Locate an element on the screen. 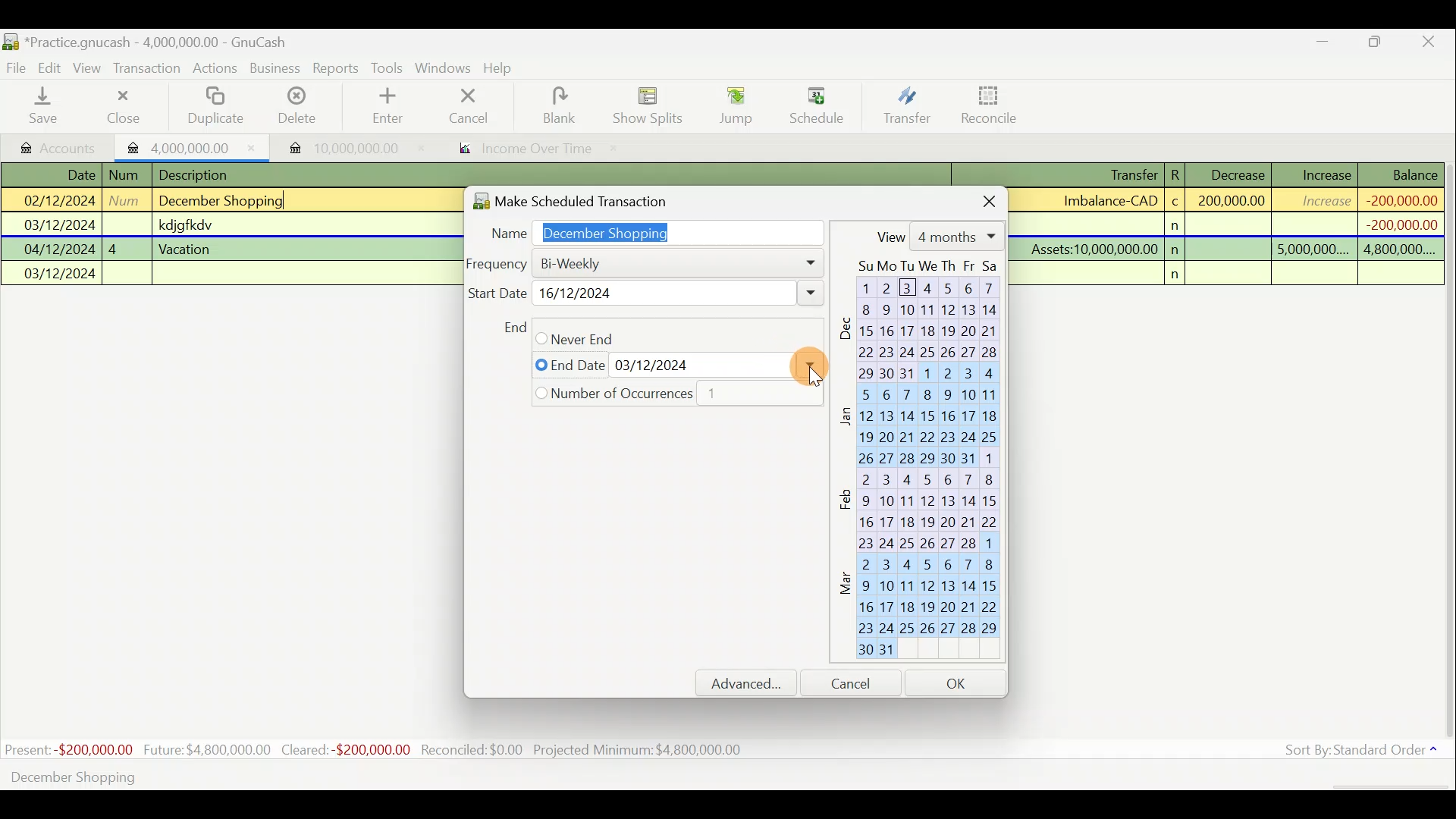  Reports is located at coordinates (336, 68).